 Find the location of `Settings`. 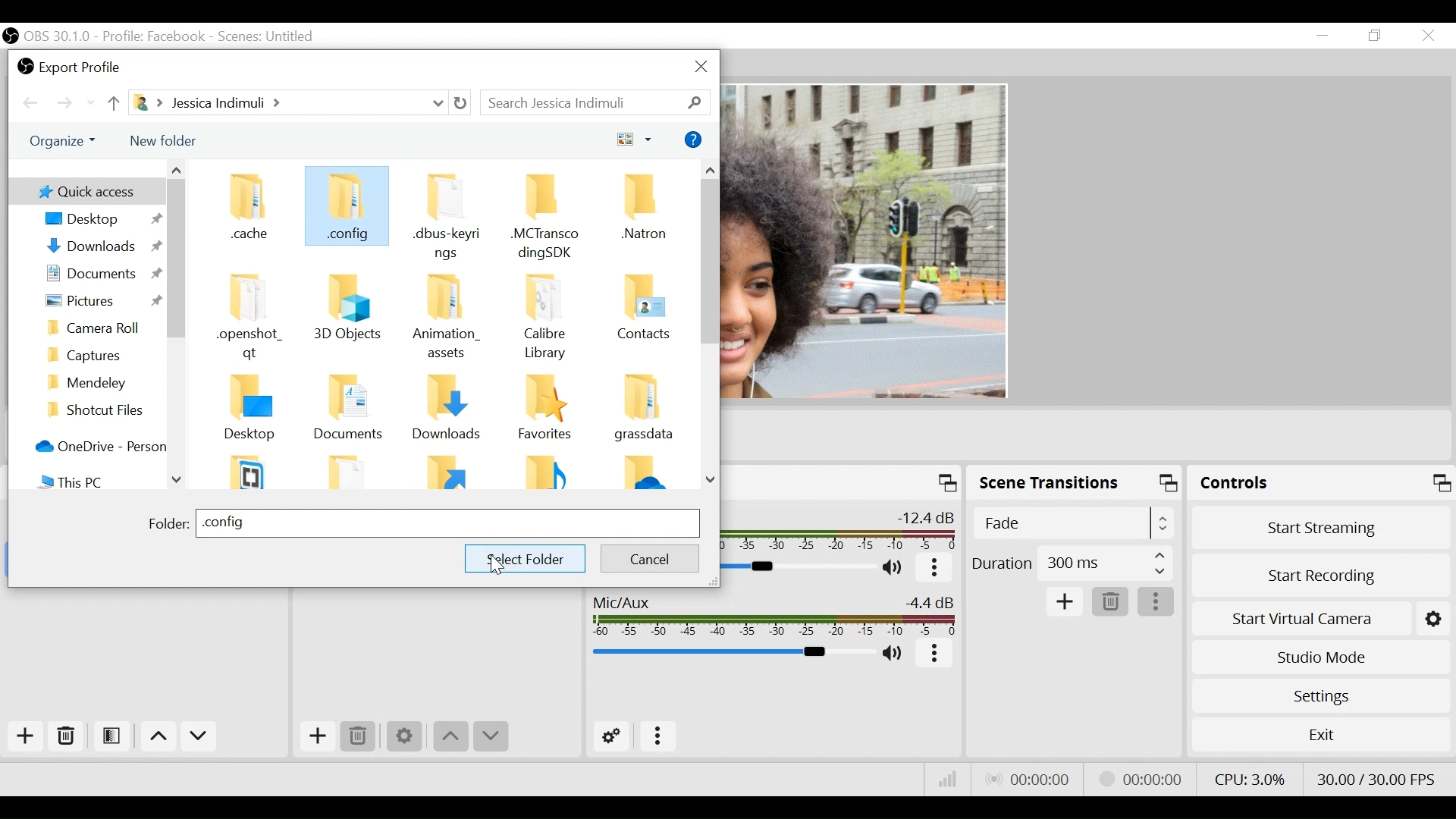

Settings is located at coordinates (406, 738).